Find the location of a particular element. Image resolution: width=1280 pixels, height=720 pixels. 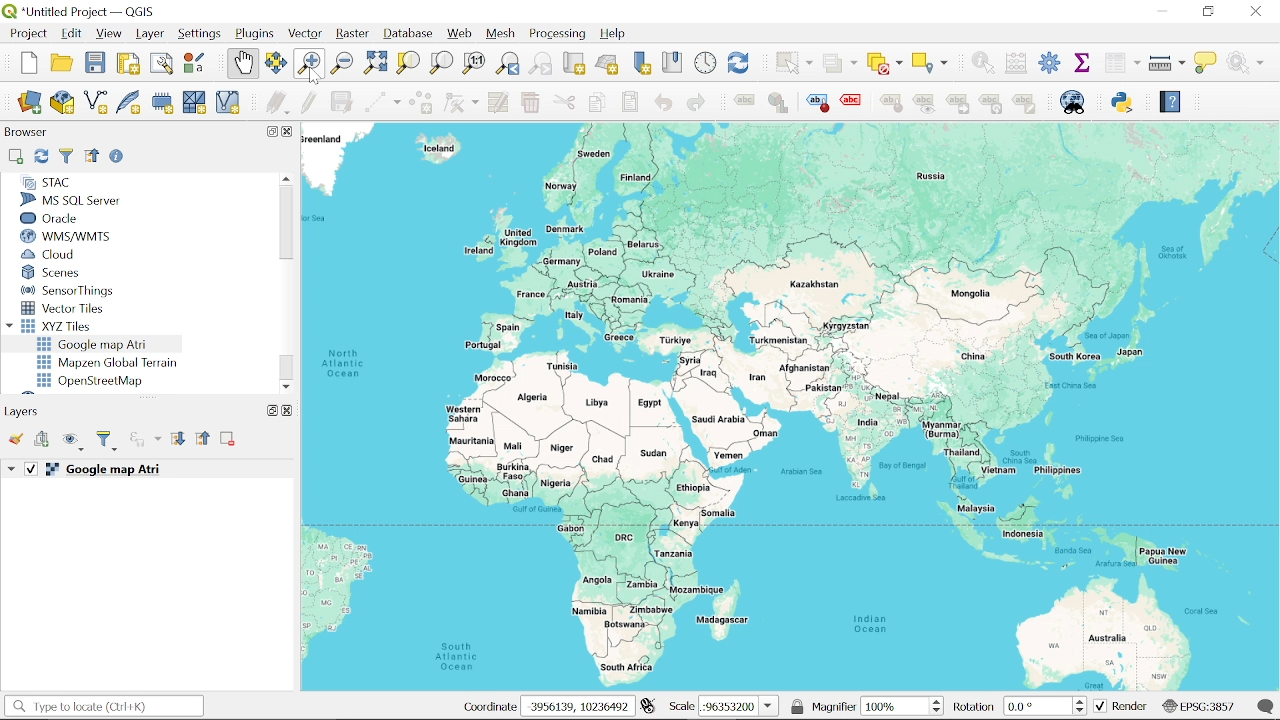

Increase is located at coordinates (940, 699).